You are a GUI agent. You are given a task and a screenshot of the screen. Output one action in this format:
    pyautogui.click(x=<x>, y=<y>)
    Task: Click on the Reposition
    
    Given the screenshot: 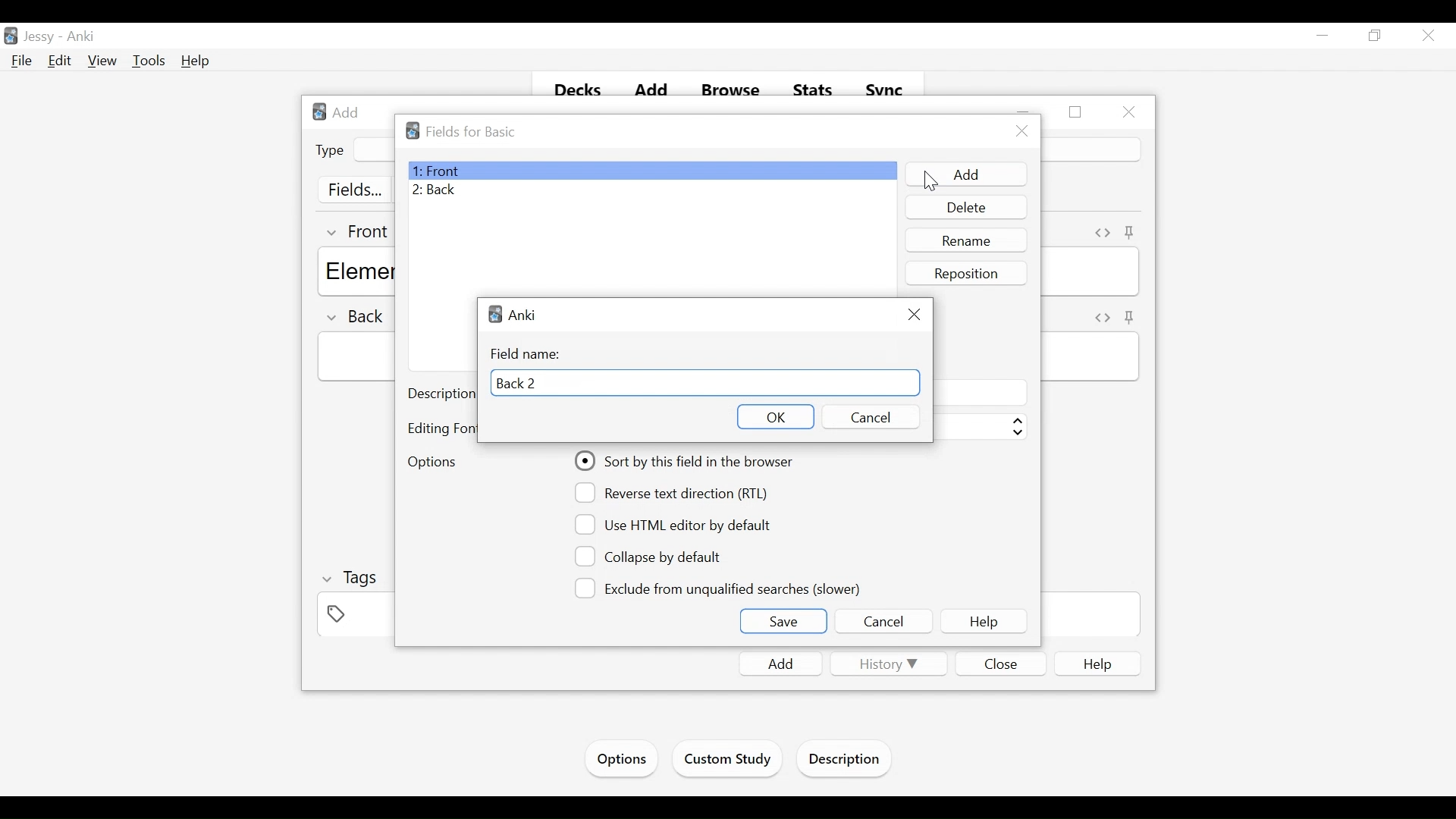 What is the action you would take?
    pyautogui.click(x=964, y=274)
    